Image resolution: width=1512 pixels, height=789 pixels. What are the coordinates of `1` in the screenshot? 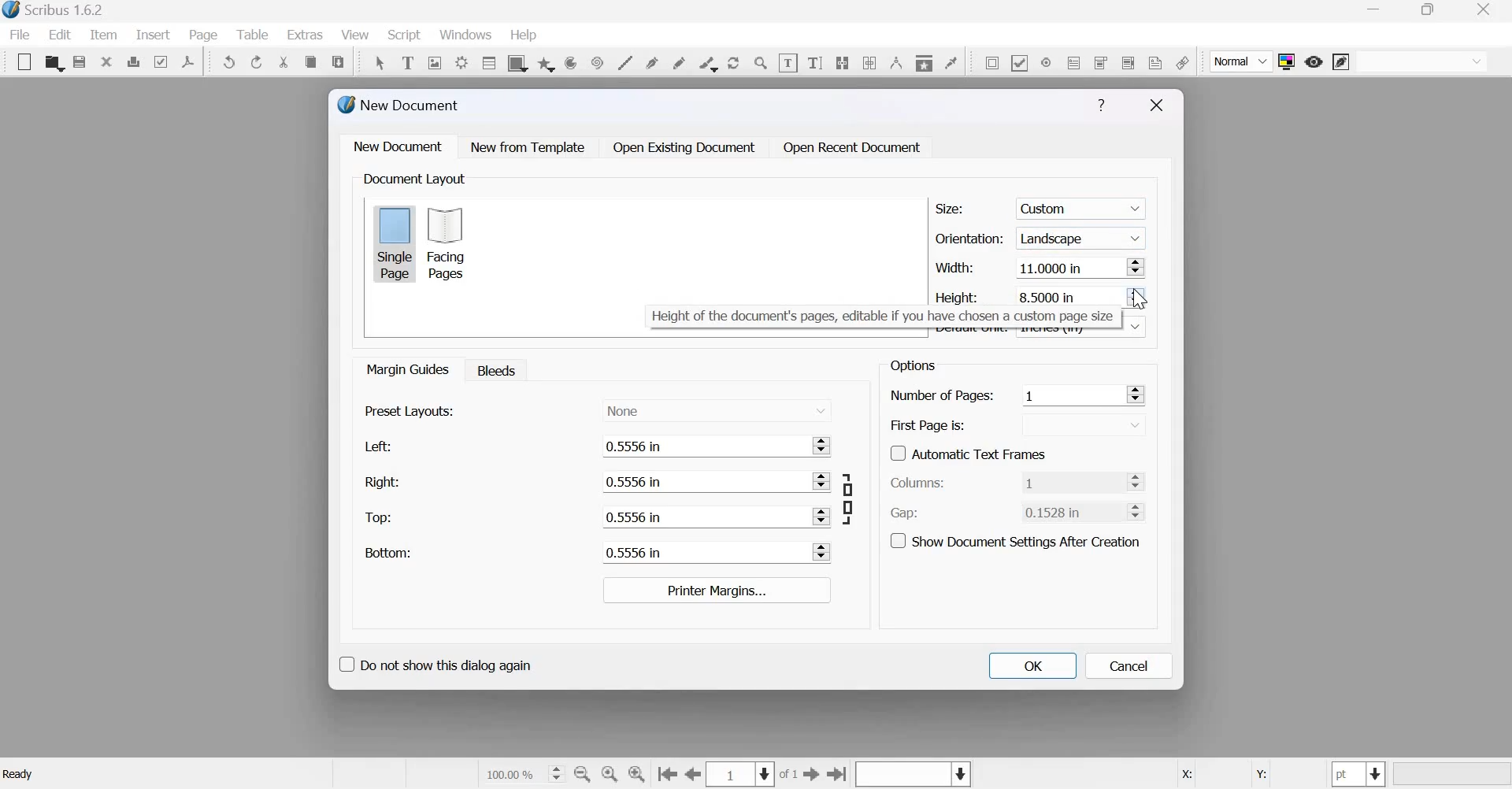 It's located at (1070, 394).